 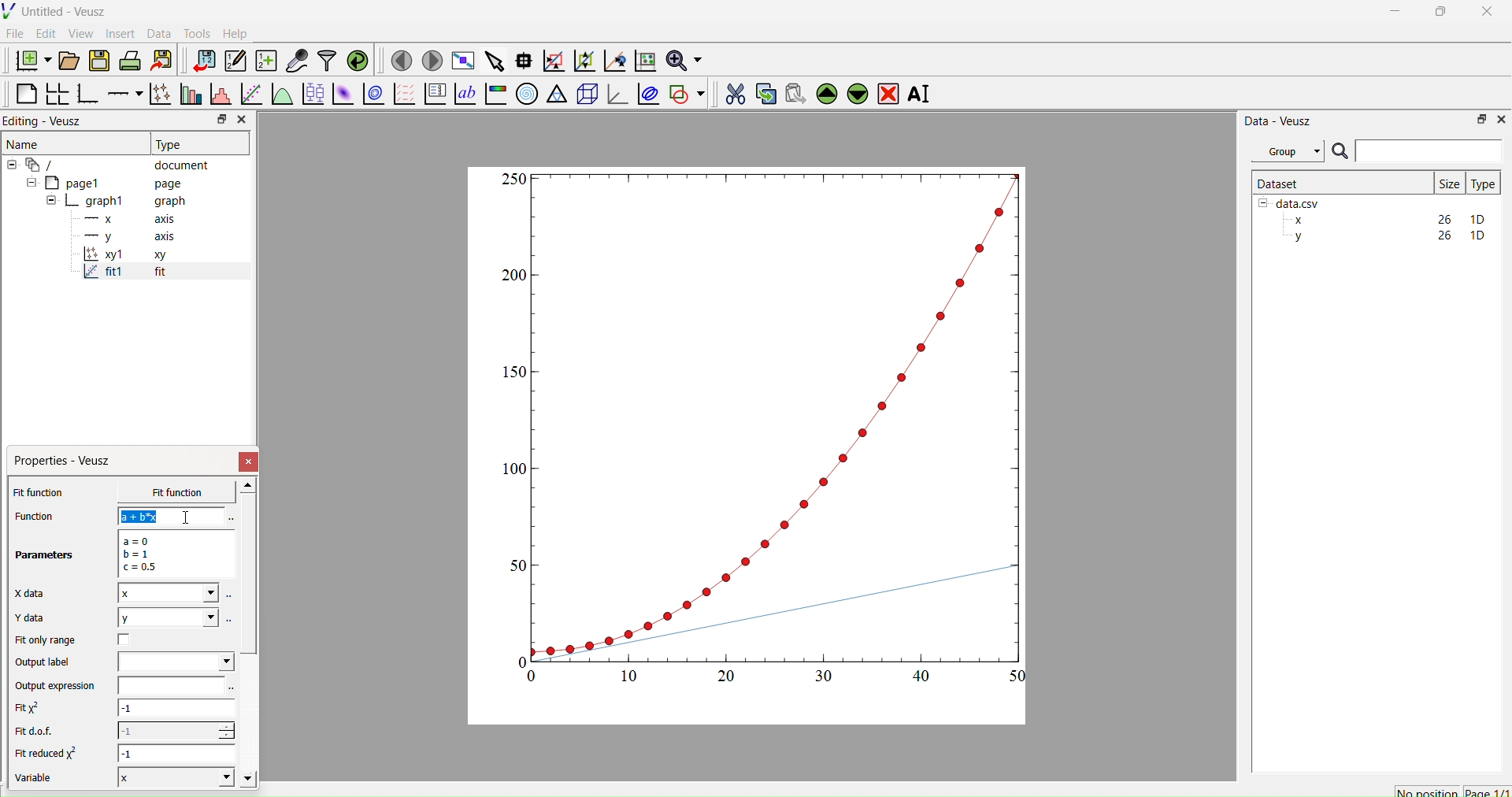 I want to click on Select using dataset browser, so click(x=230, y=619).